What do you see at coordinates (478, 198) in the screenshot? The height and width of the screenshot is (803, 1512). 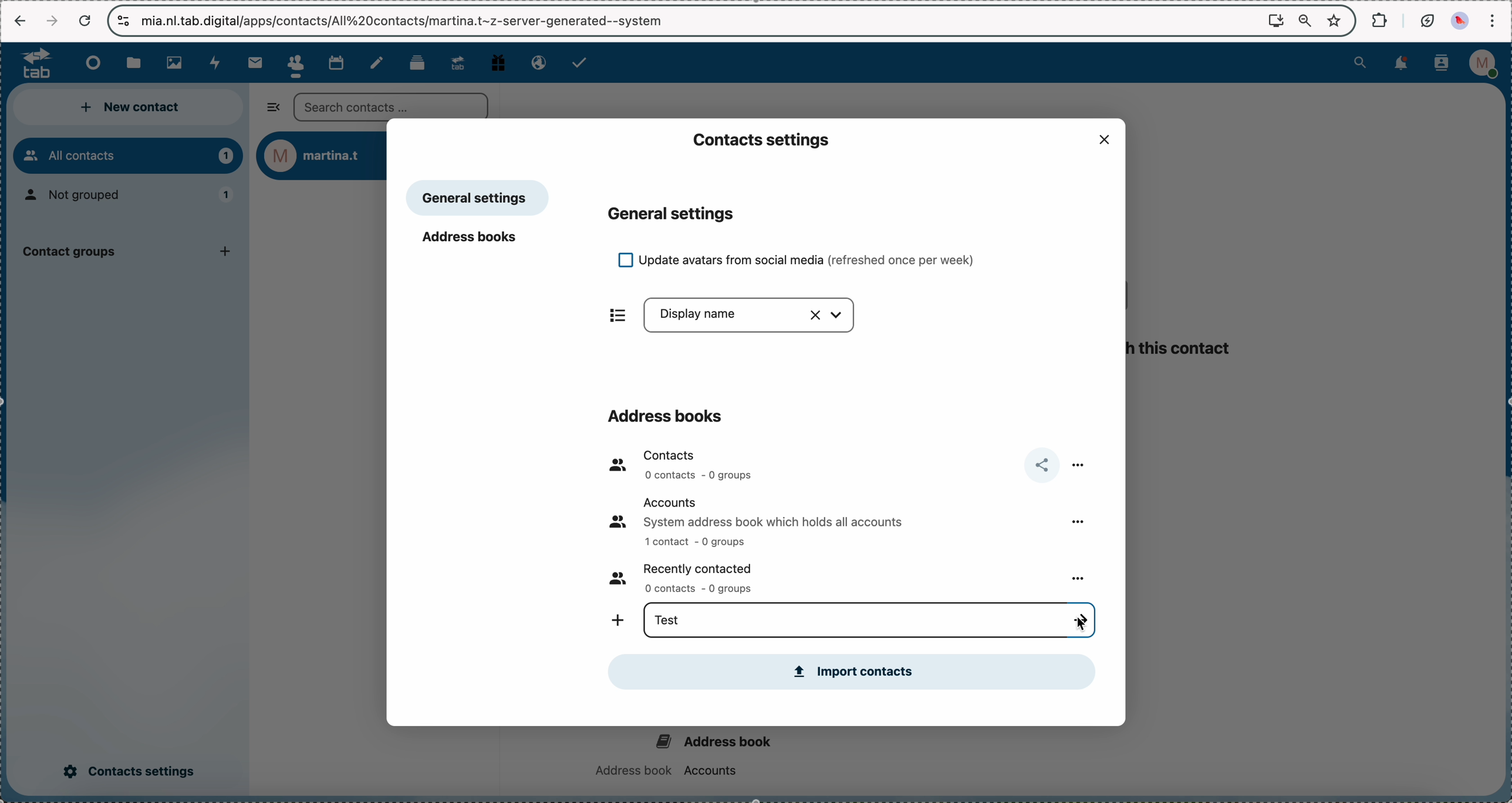 I see `general settings` at bounding box center [478, 198].